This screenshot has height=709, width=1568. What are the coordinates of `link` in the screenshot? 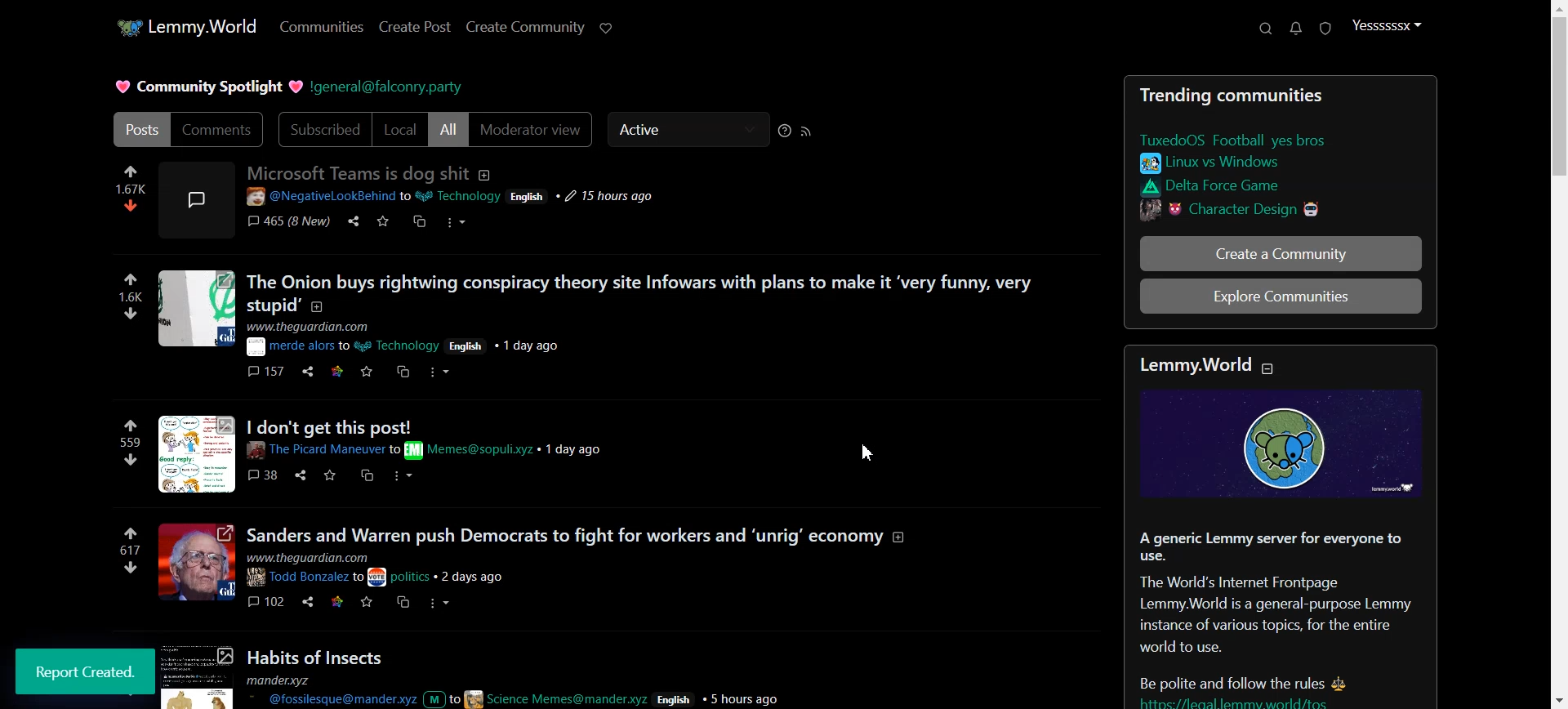 It's located at (1249, 209).